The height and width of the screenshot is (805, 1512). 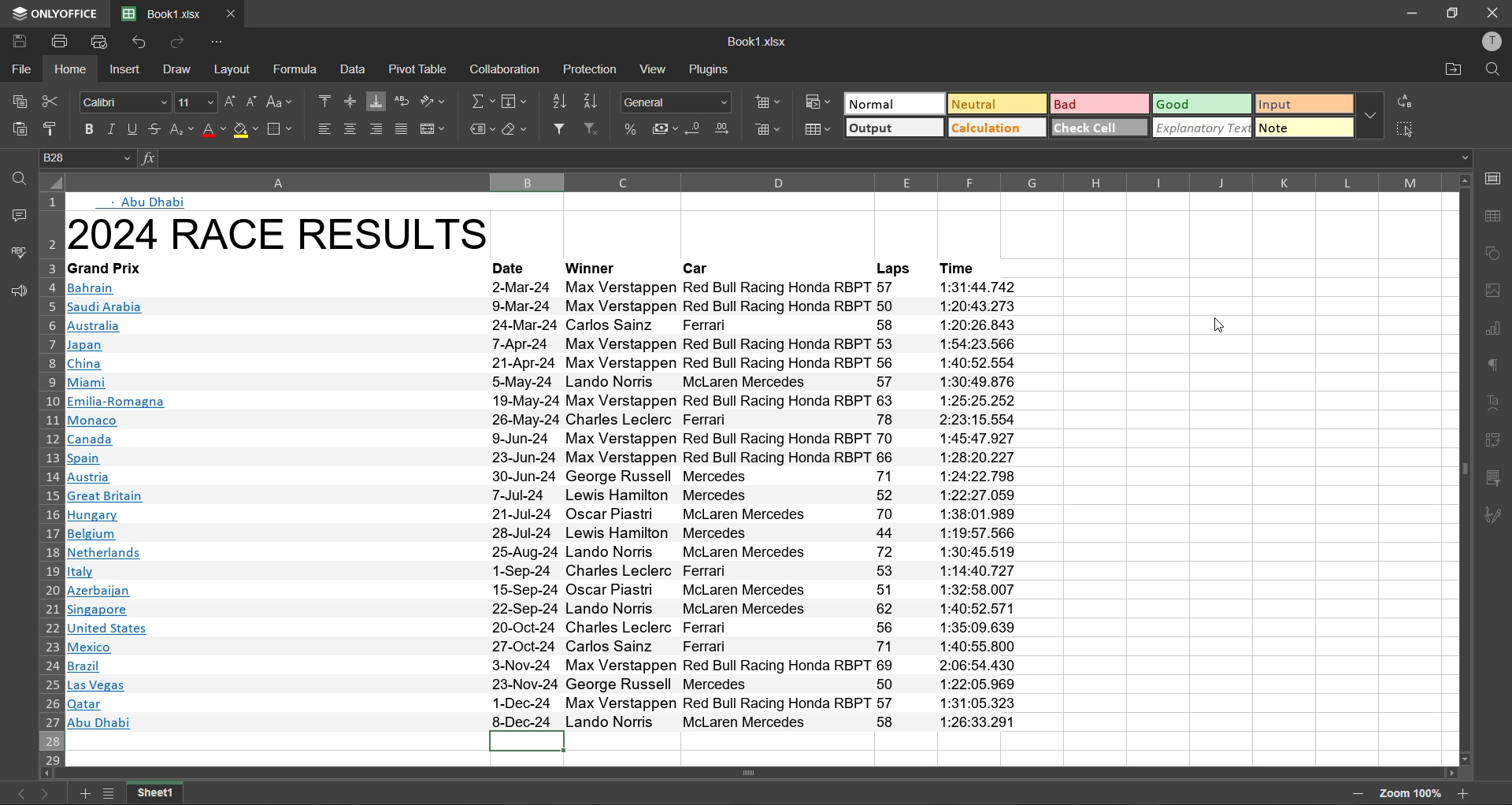 What do you see at coordinates (212, 130) in the screenshot?
I see `font color` at bounding box center [212, 130].